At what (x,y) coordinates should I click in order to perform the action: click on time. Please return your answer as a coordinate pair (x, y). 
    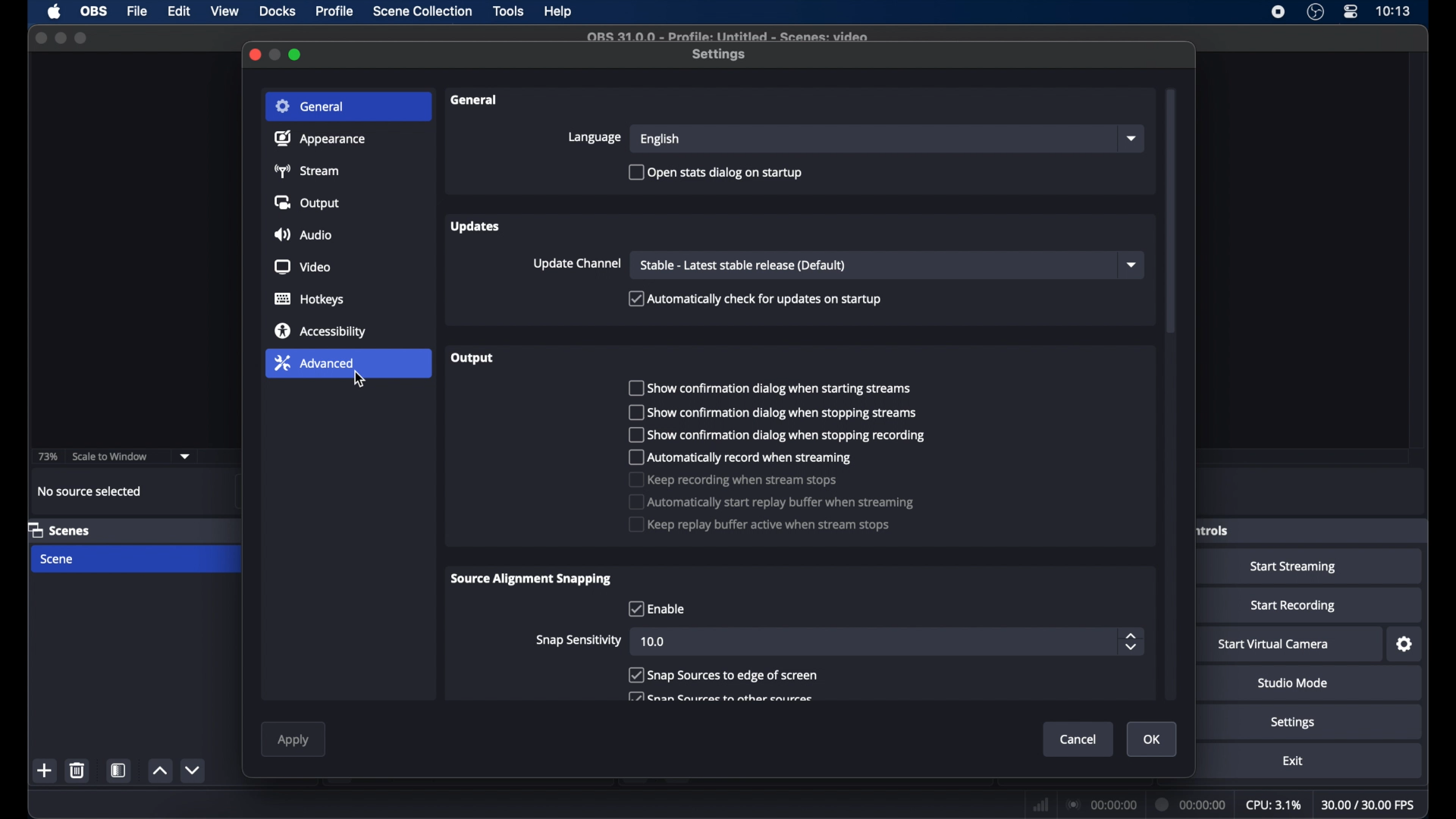
    Looking at the image, I should click on (1393, 11).